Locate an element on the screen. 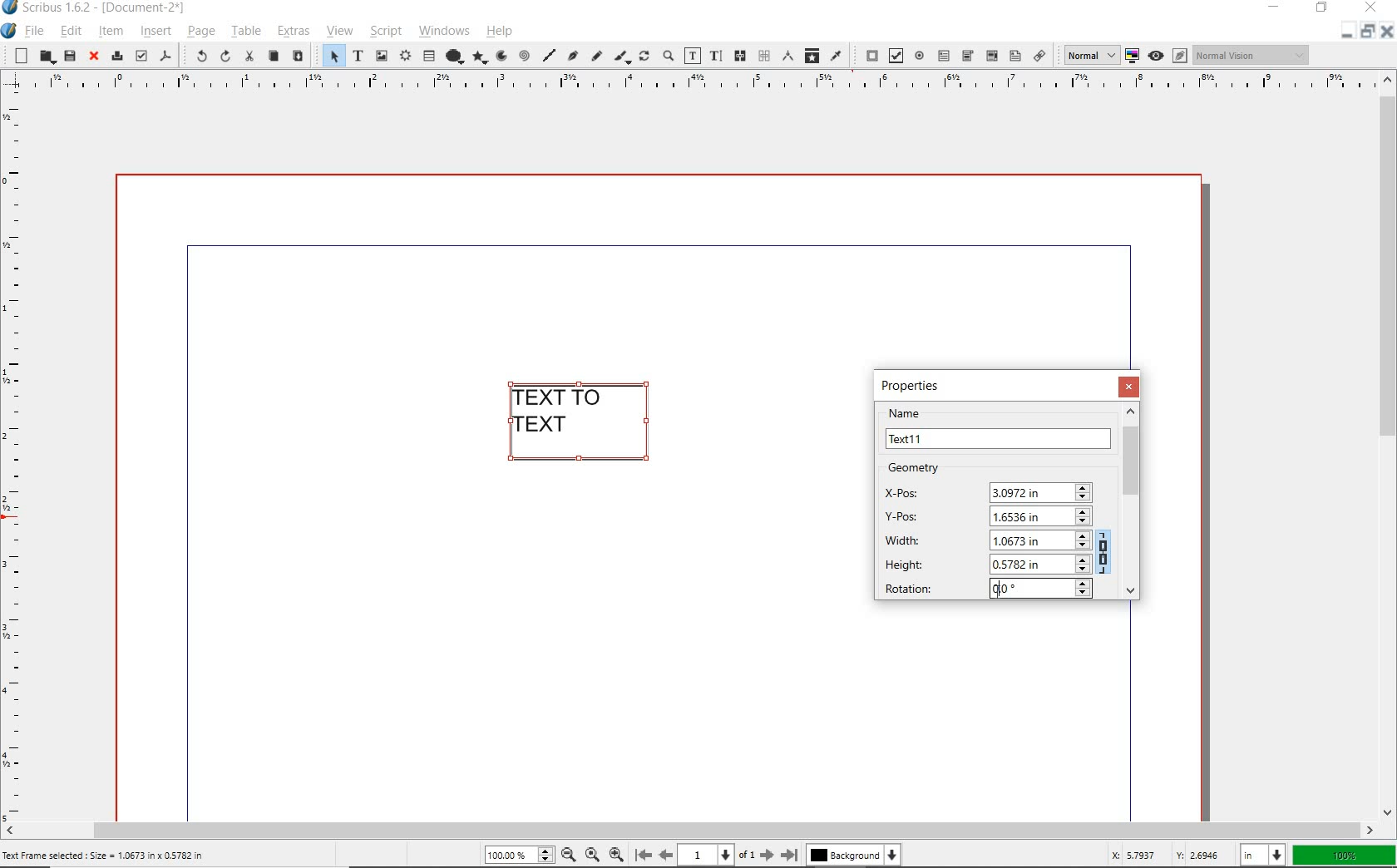  coordinates is located at coordinates (1158, 855).